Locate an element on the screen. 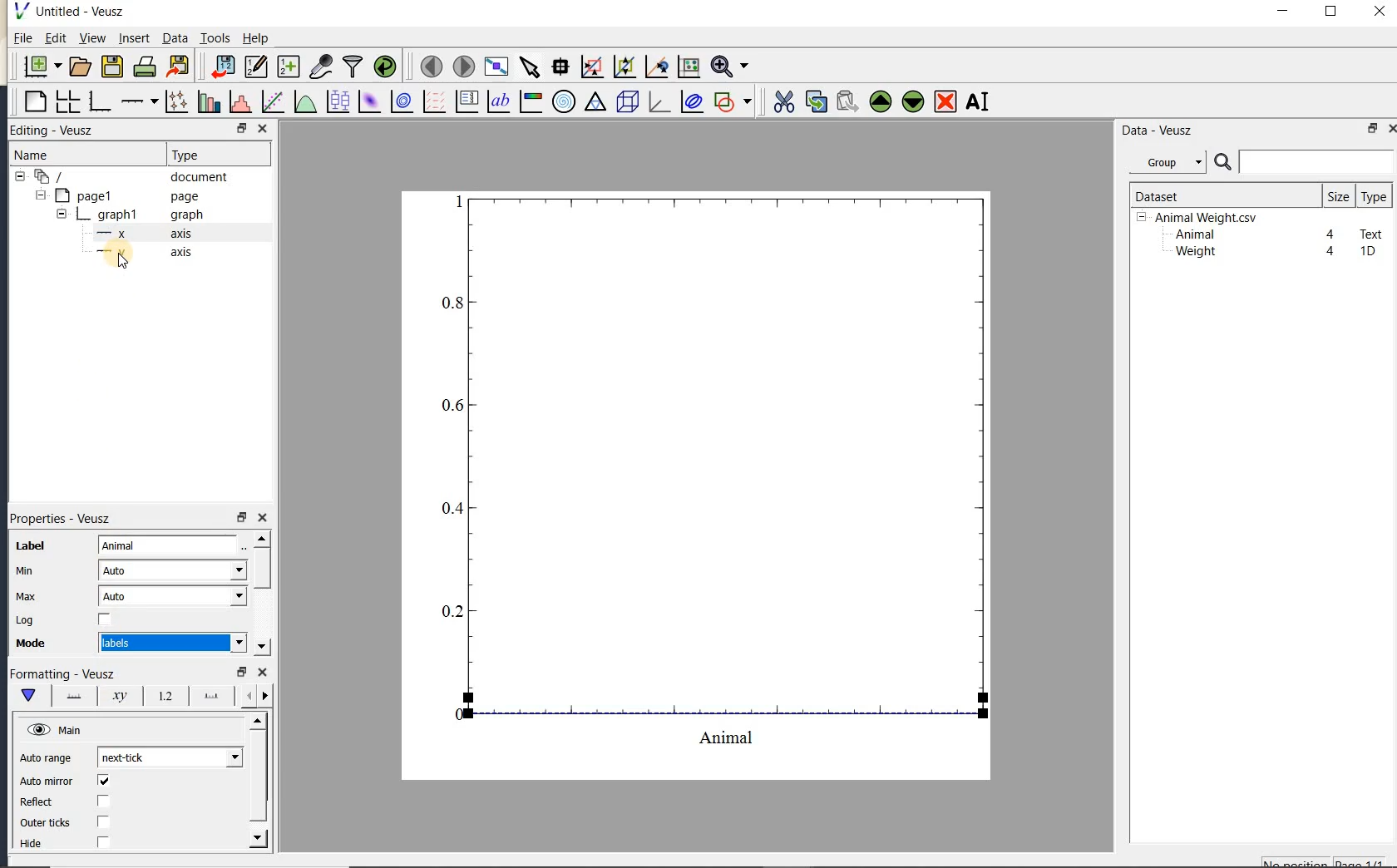 Image resolution: width=1397 pixels, height=868 pixels. plot a vector field is located at coordinates (432, 102).